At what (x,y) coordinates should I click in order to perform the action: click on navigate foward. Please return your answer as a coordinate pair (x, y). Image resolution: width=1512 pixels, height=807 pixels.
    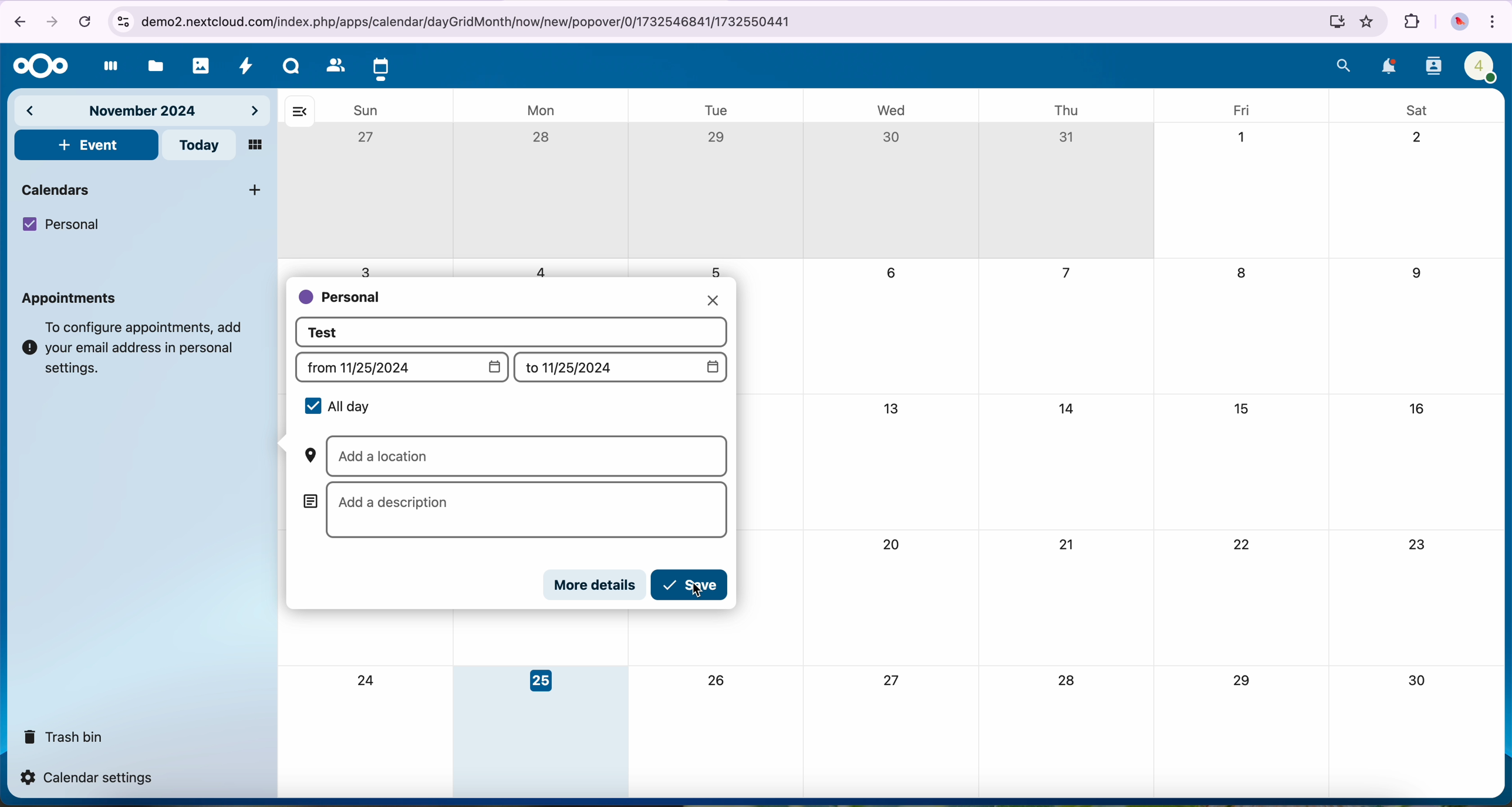
    Looking at the image, I should click on (50, 23).